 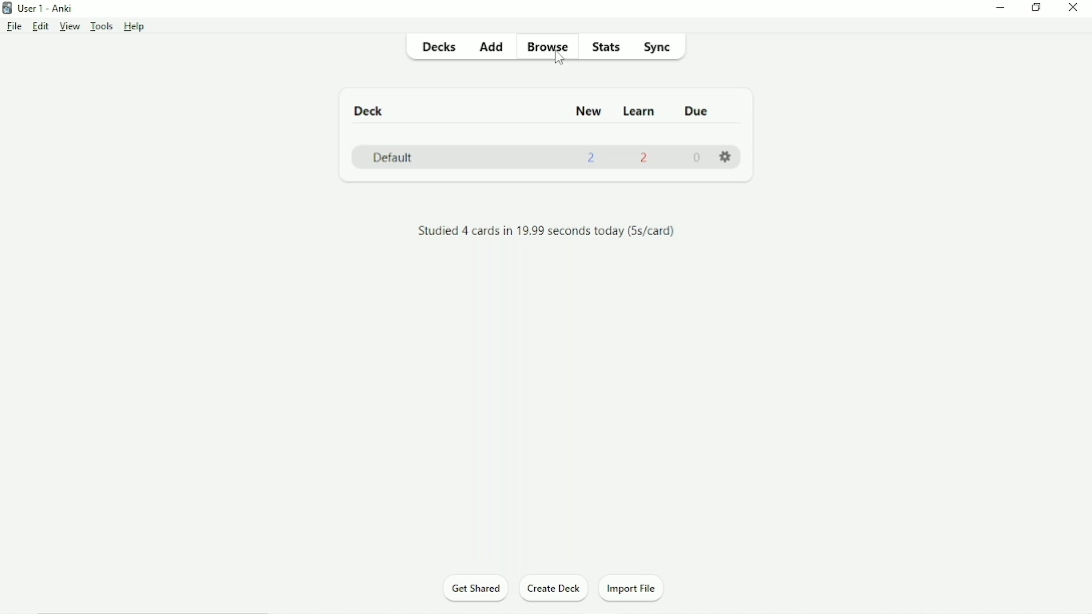 I want to click on New, so click(x=590, y=111).